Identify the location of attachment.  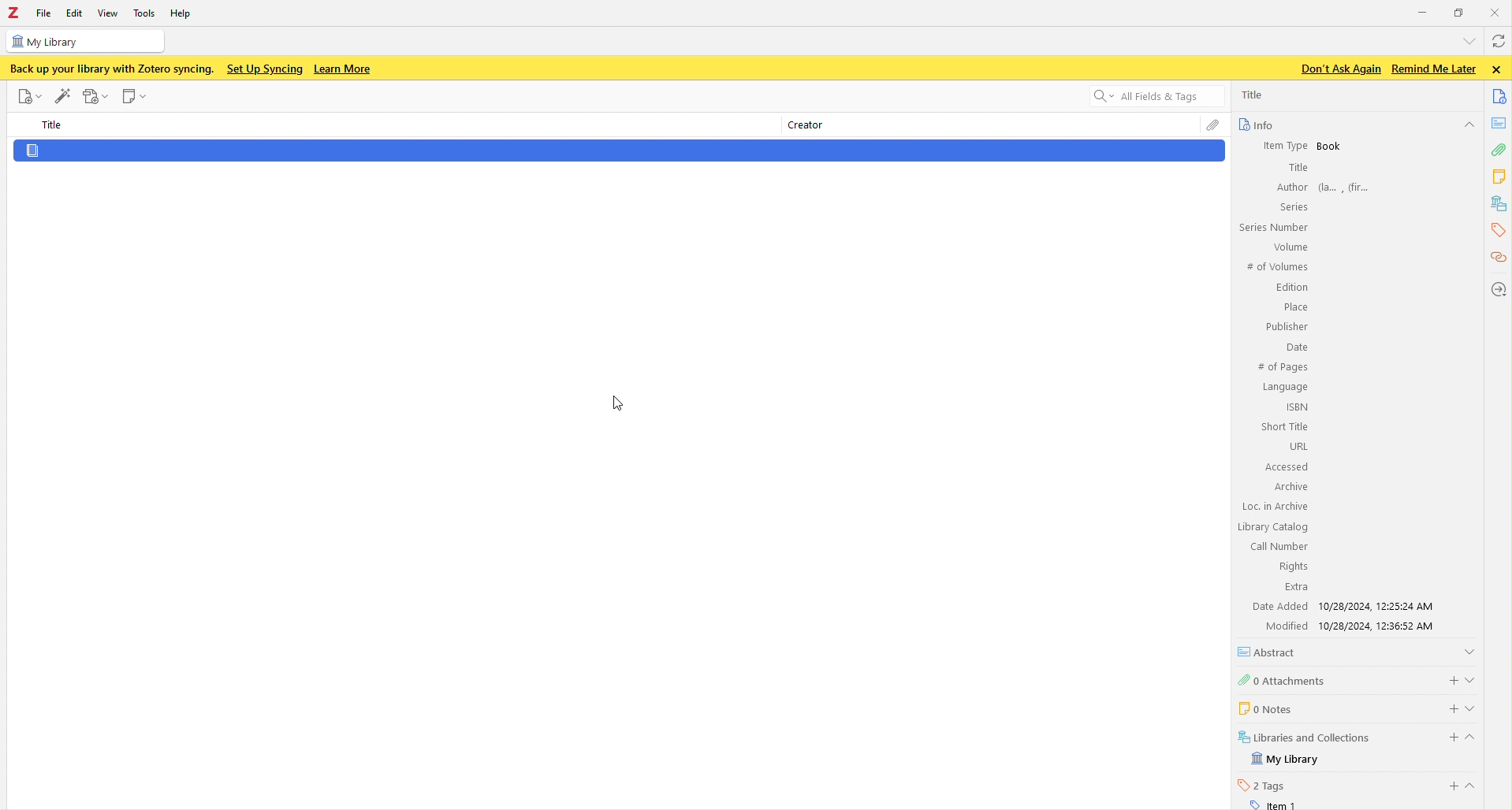
(1498, 152).